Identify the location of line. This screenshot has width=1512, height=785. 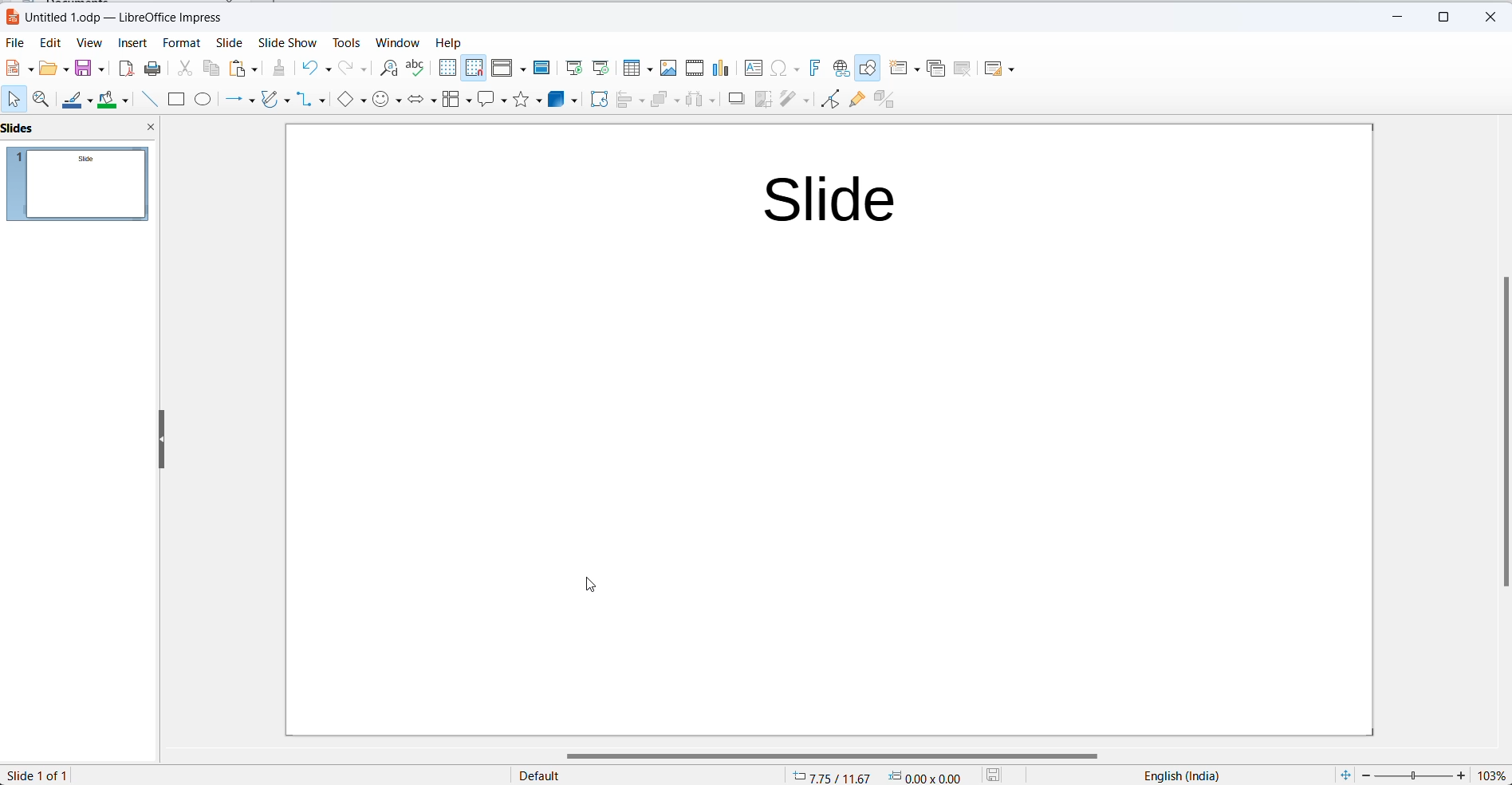
(150, 99).